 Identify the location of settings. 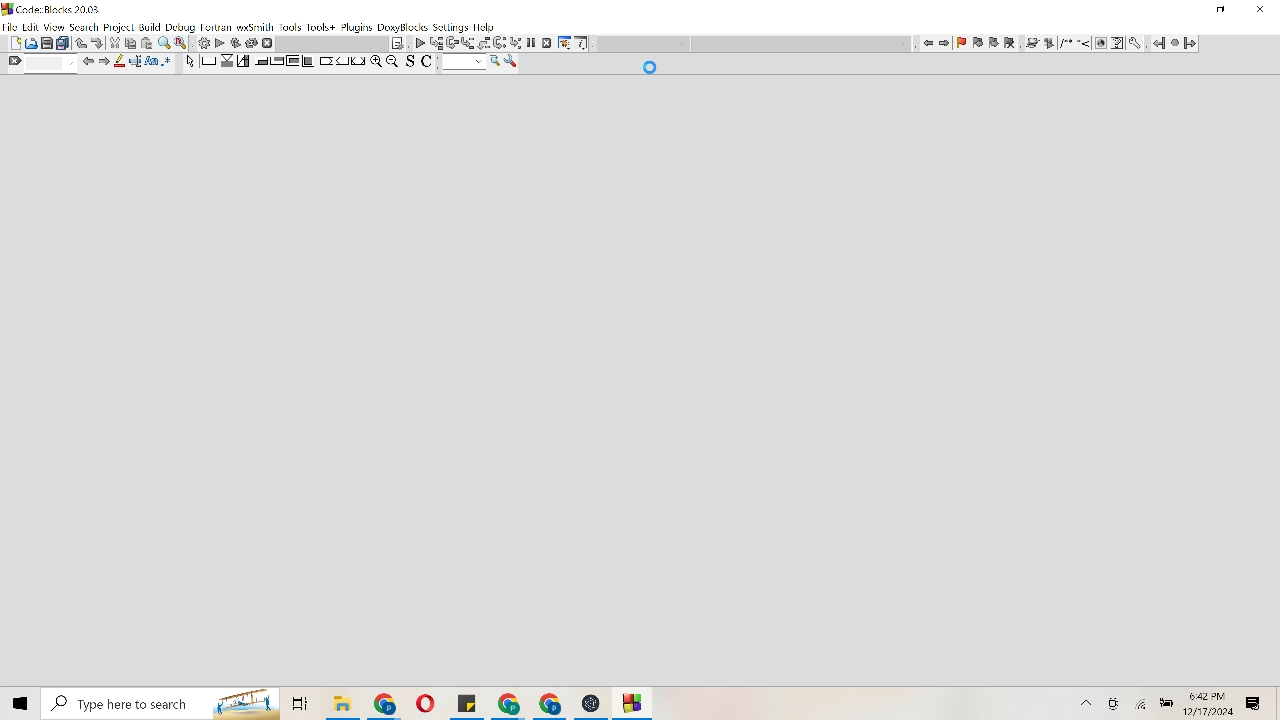
(451, 28).